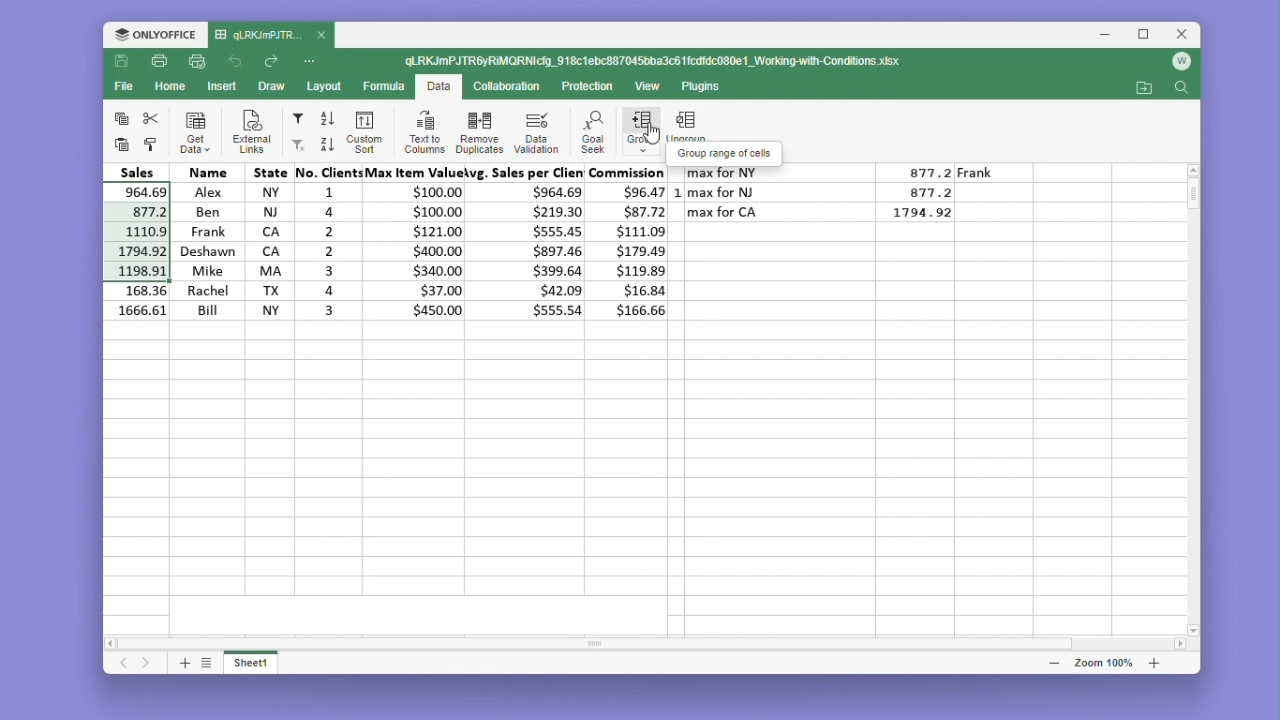 Image resolution: width=1280 pixels, height=720 pixels. Describe the element at coordinates (839, 198) in the screenshot. I see `Data table` at that location.